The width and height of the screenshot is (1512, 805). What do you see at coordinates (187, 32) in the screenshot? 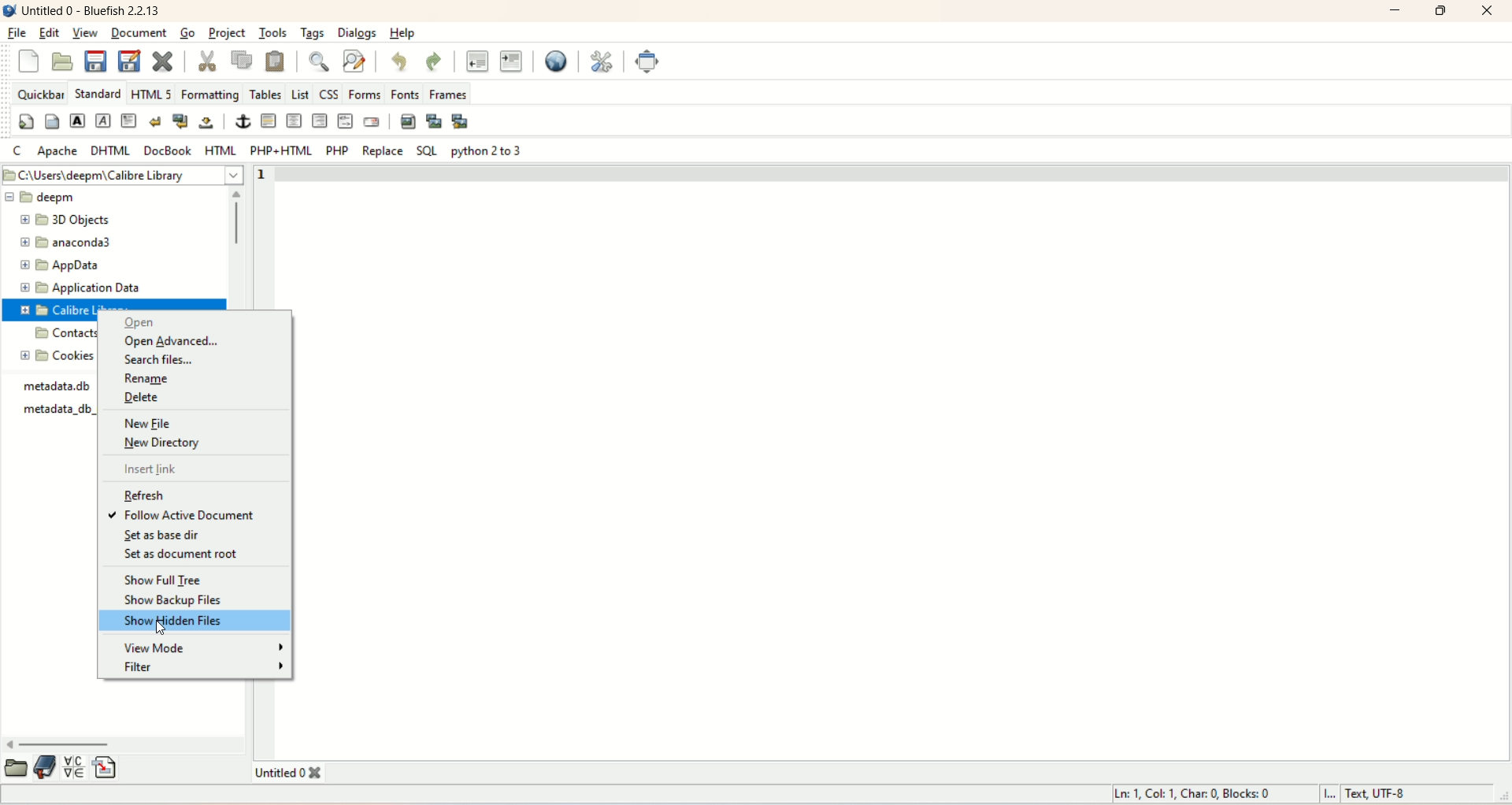
I see `go` at bounding box center [187, 32].